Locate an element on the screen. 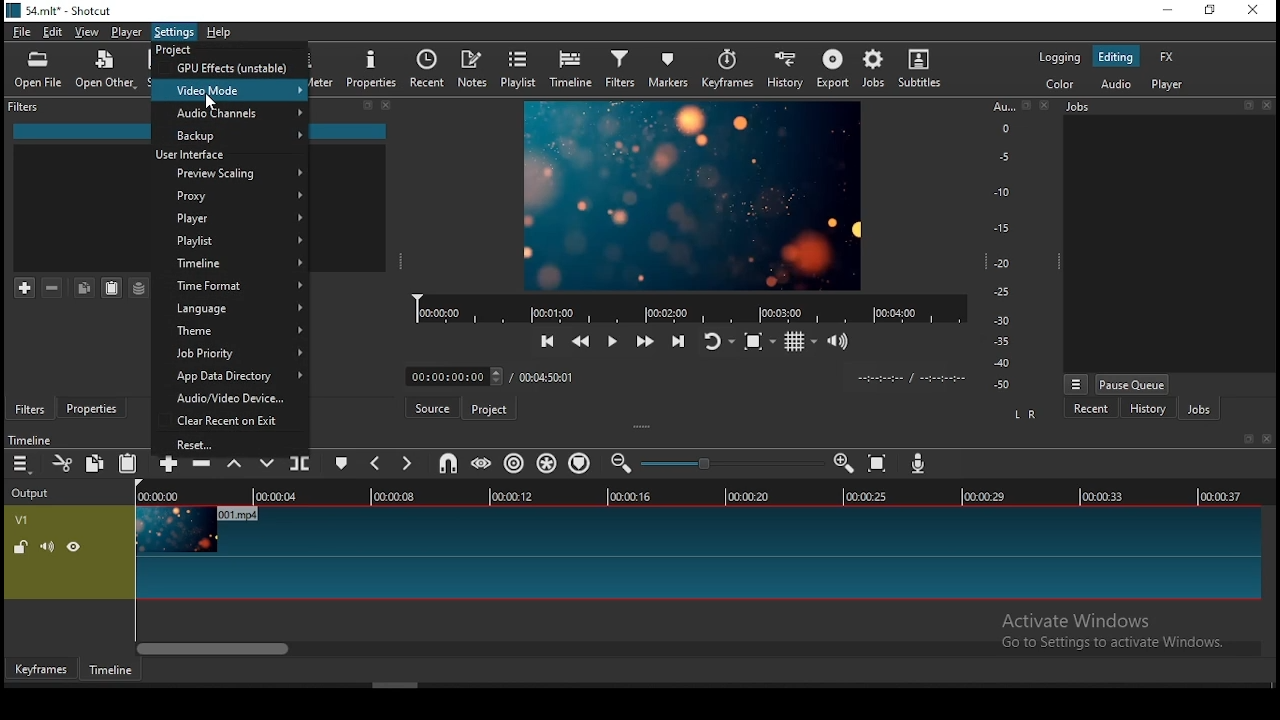 Image resolution: width=1280 pixels, height=720 pixels. volume is located at coordinates (47, 546).